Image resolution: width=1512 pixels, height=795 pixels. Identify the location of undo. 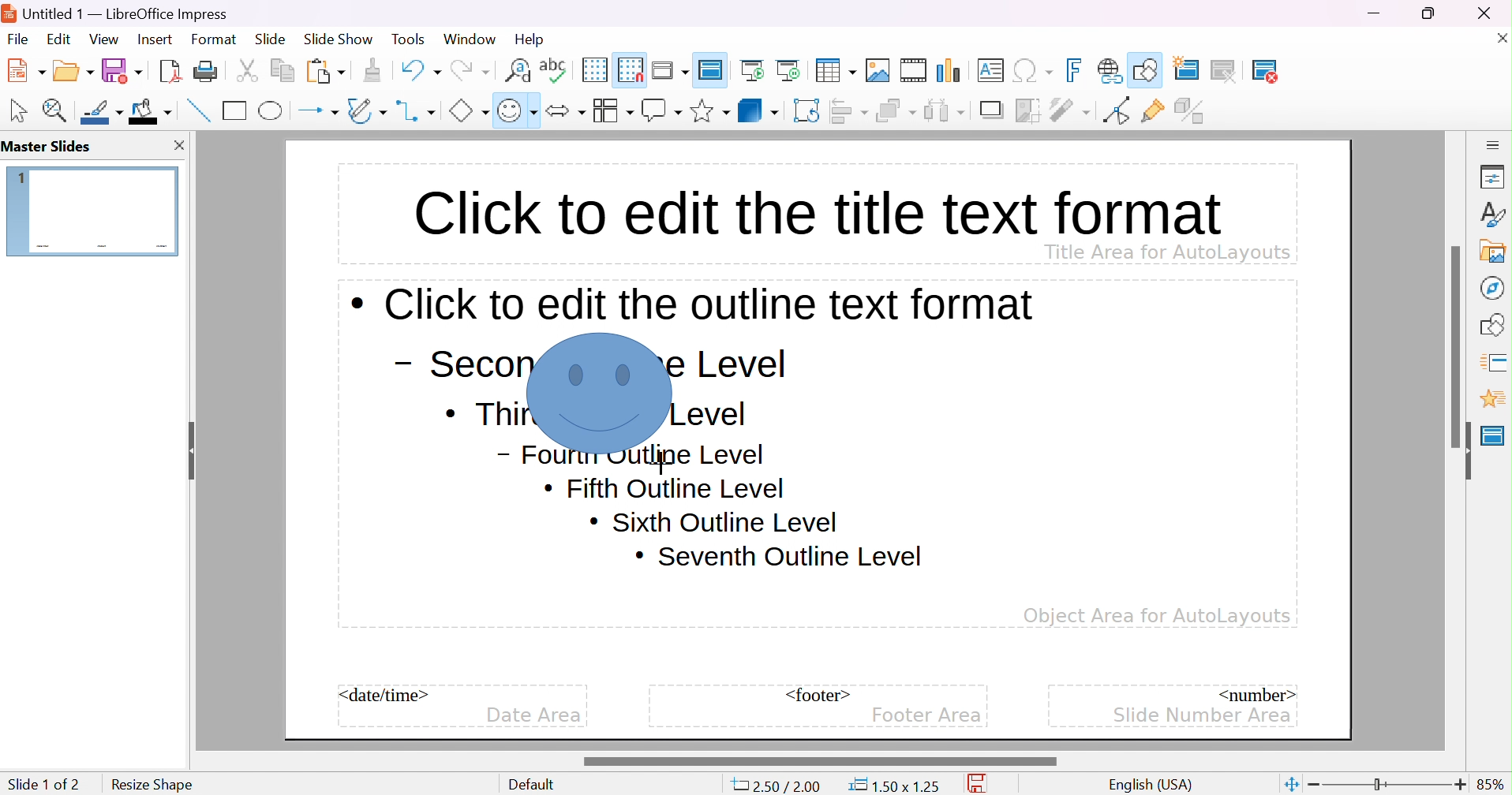
(419, 68).